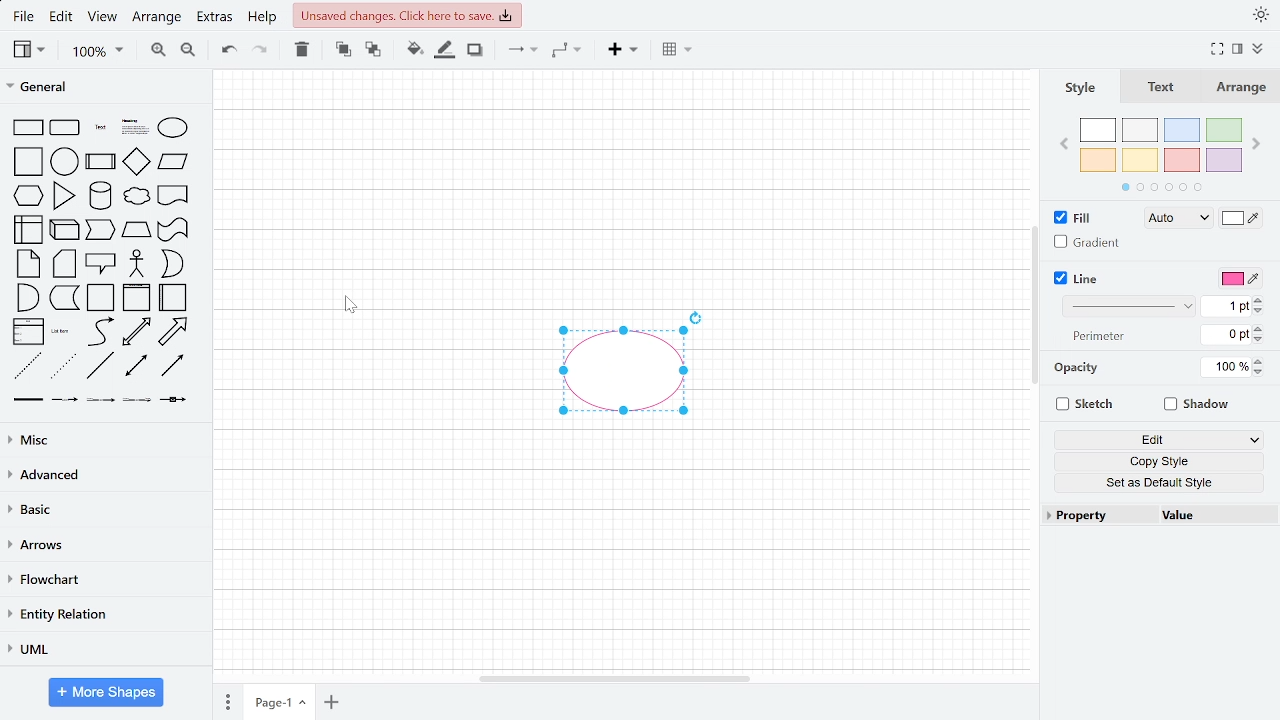  Describe the element at coordinates (260, 50) in the screenshot. I see `redo` at that location.